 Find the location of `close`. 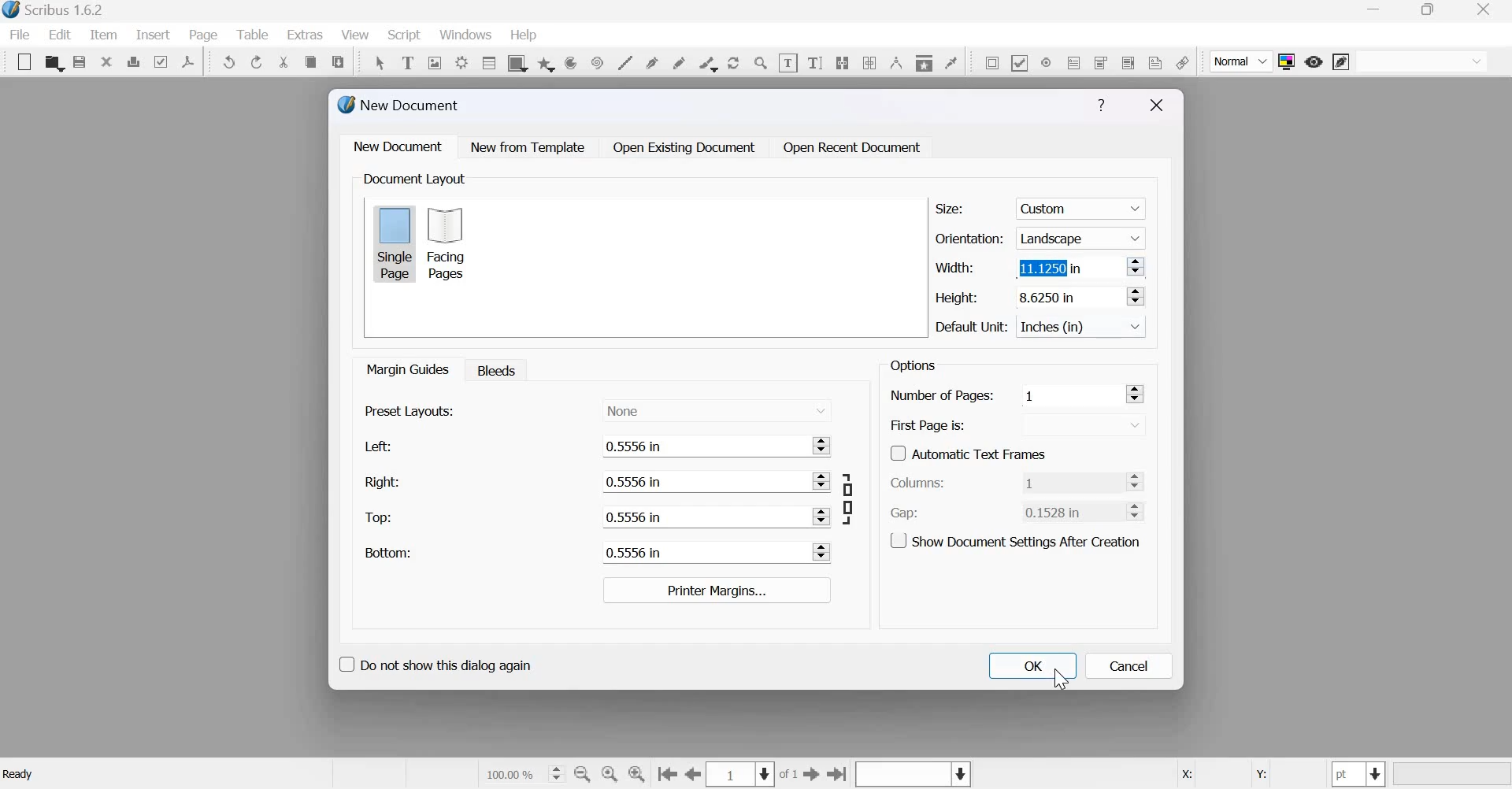

close is located at coordinates (1488, 9).